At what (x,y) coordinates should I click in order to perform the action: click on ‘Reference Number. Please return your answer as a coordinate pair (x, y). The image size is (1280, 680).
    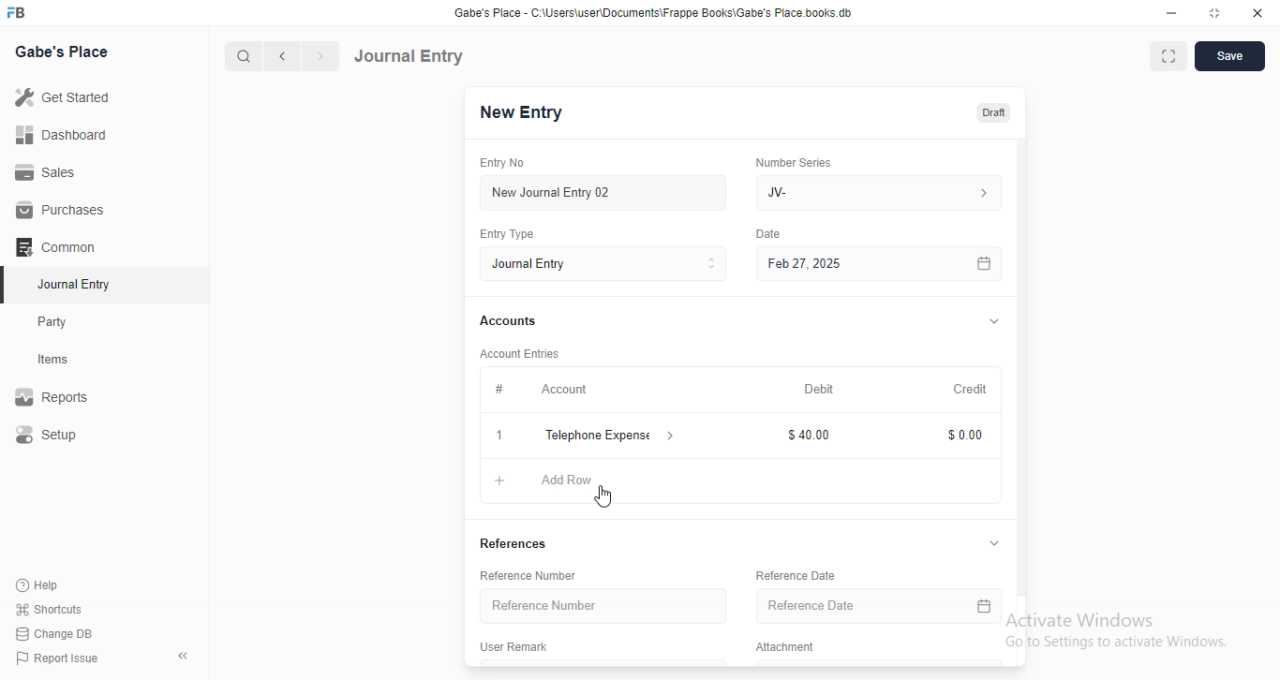
    Looking at the image, I should click on (599, 606).